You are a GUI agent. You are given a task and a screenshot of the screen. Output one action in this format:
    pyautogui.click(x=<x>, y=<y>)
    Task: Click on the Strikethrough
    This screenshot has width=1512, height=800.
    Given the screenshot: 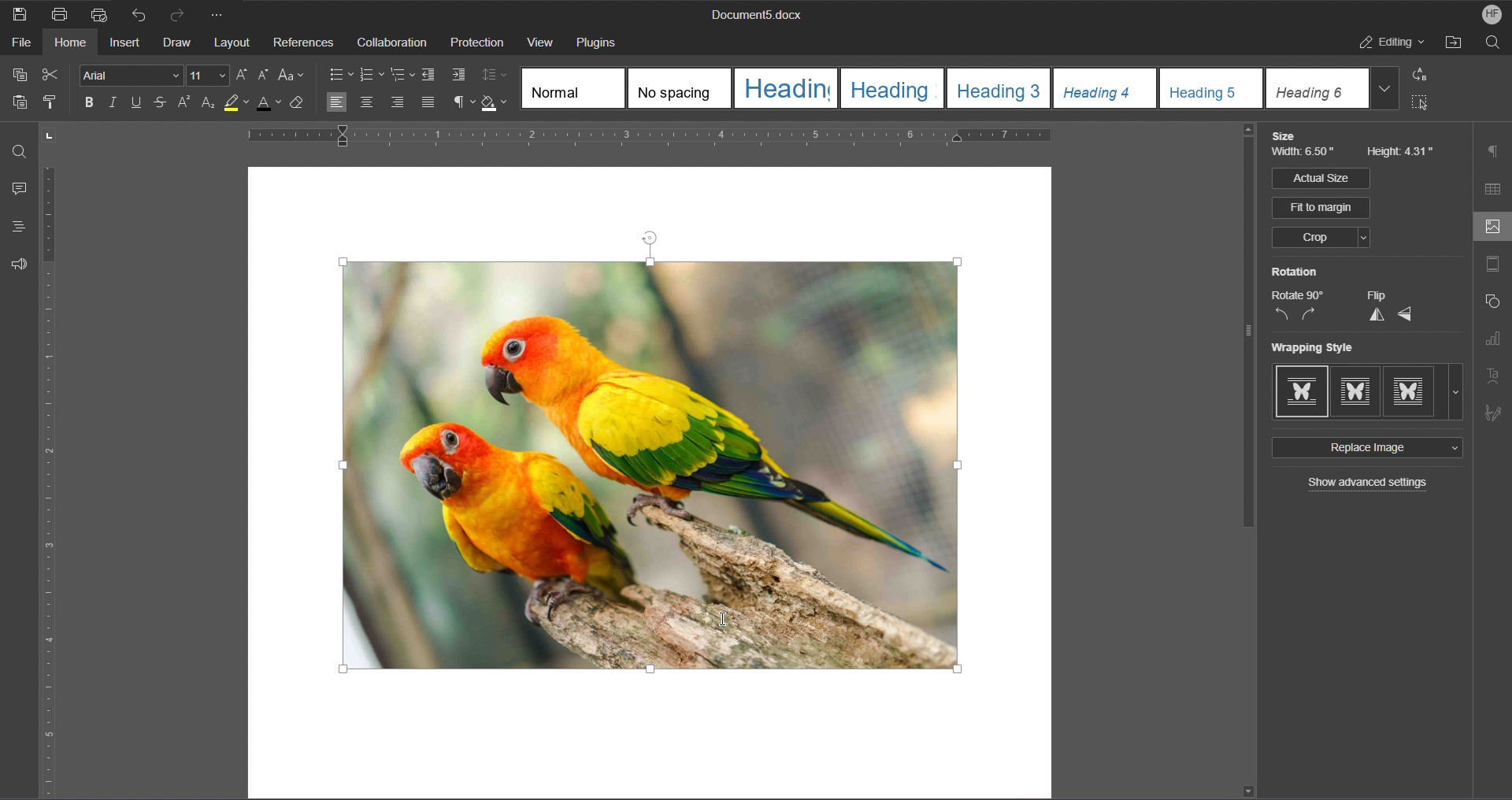 What is the action you would take?
    pyautogui.click(x=161, y=105)
    